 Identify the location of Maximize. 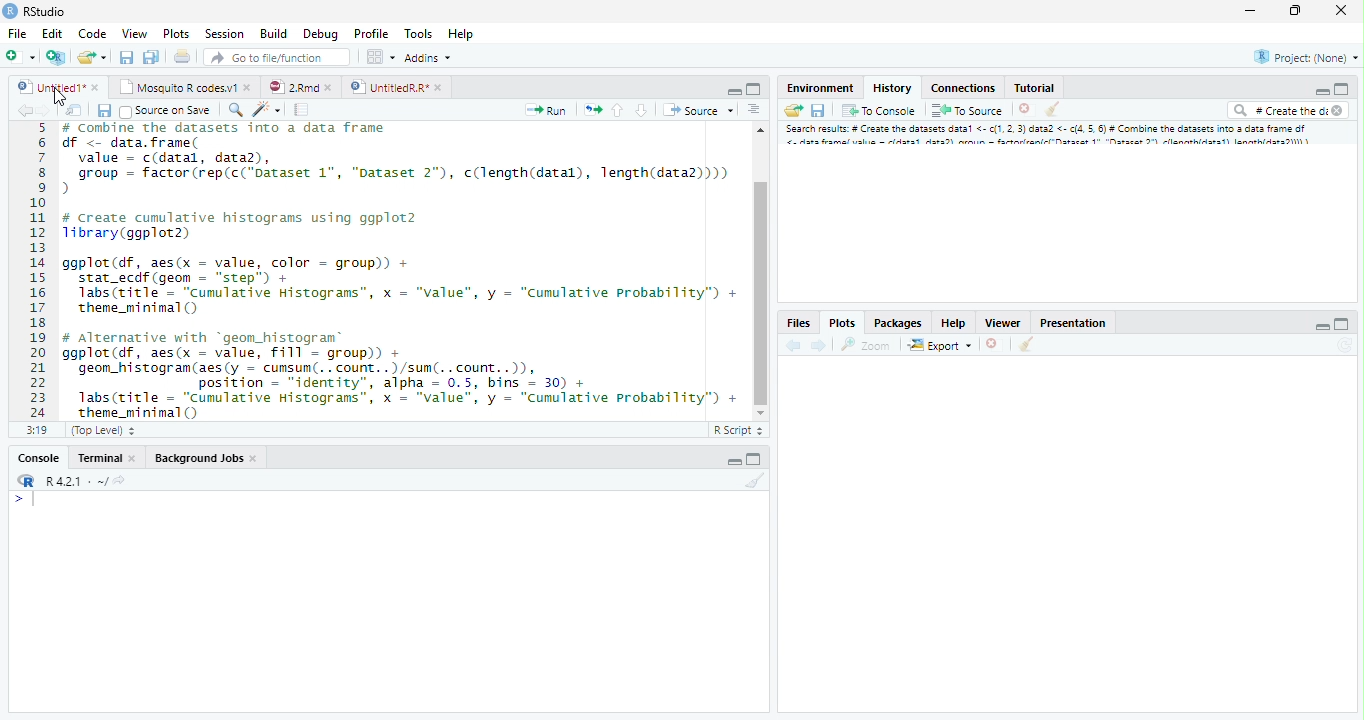
(1340, 90).